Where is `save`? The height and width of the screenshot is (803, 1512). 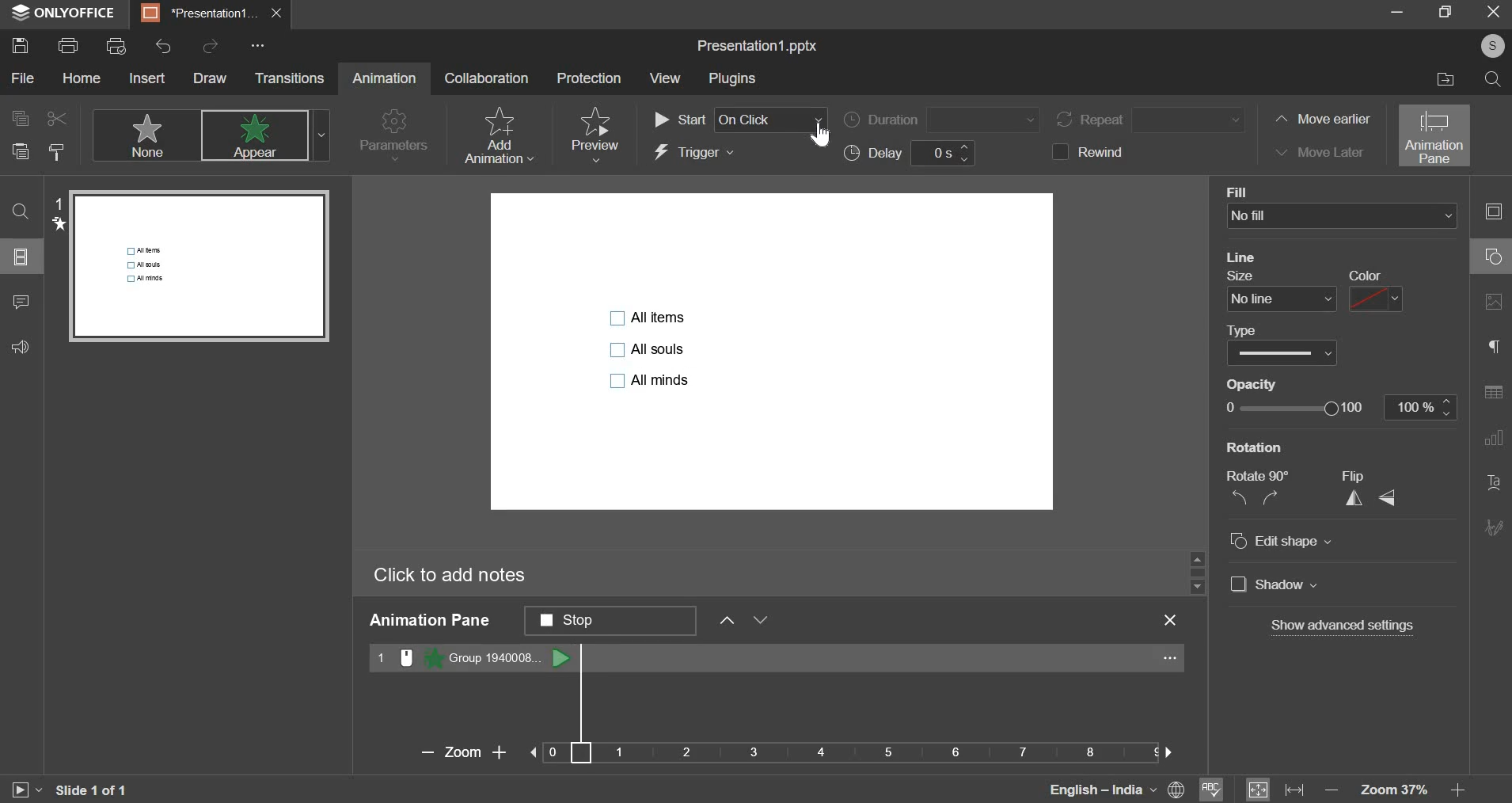
save is located at coordinates (19, 45).